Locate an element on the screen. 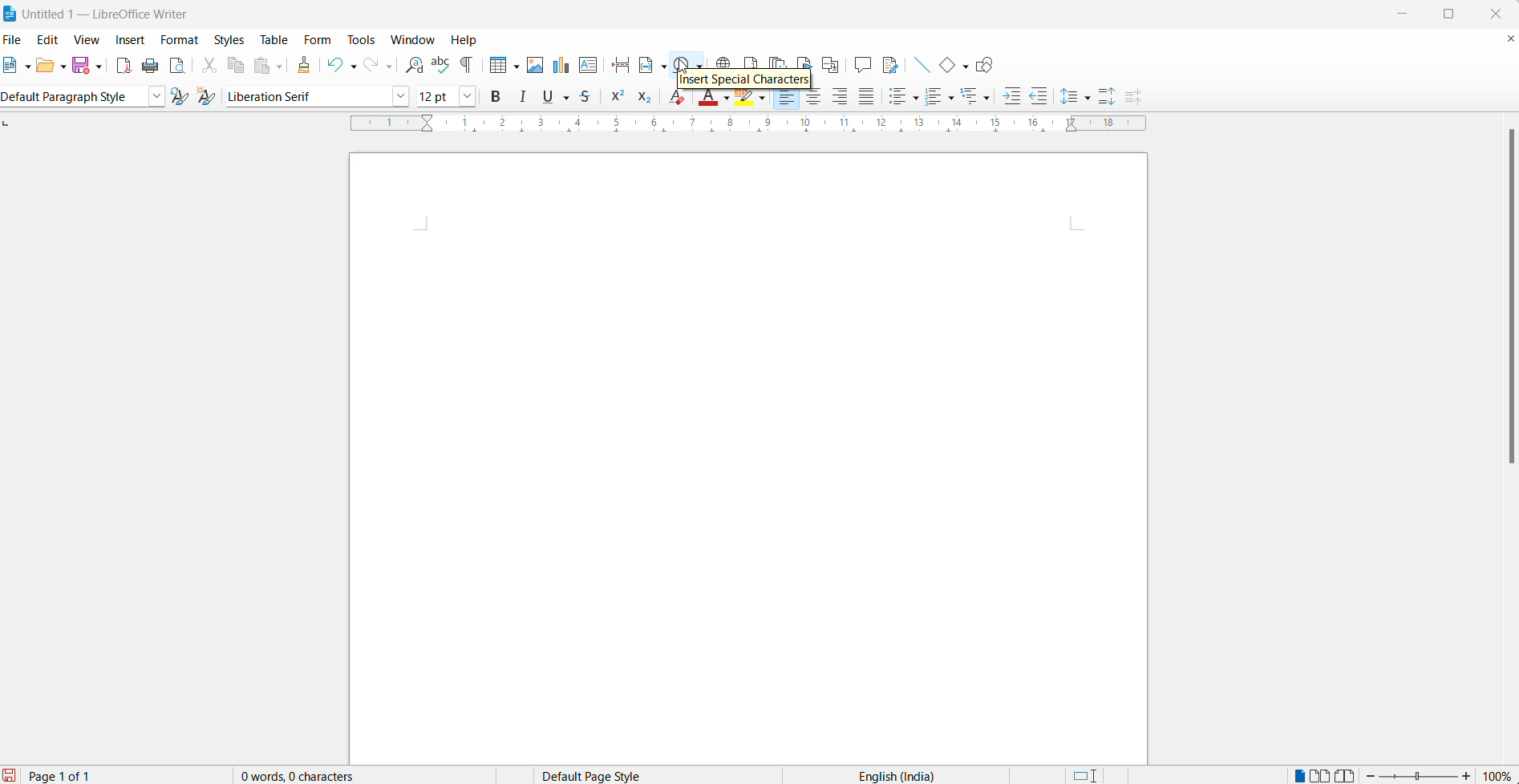 This screenshot has width=1519, height=784. edit is located at coordinates (52, 38).